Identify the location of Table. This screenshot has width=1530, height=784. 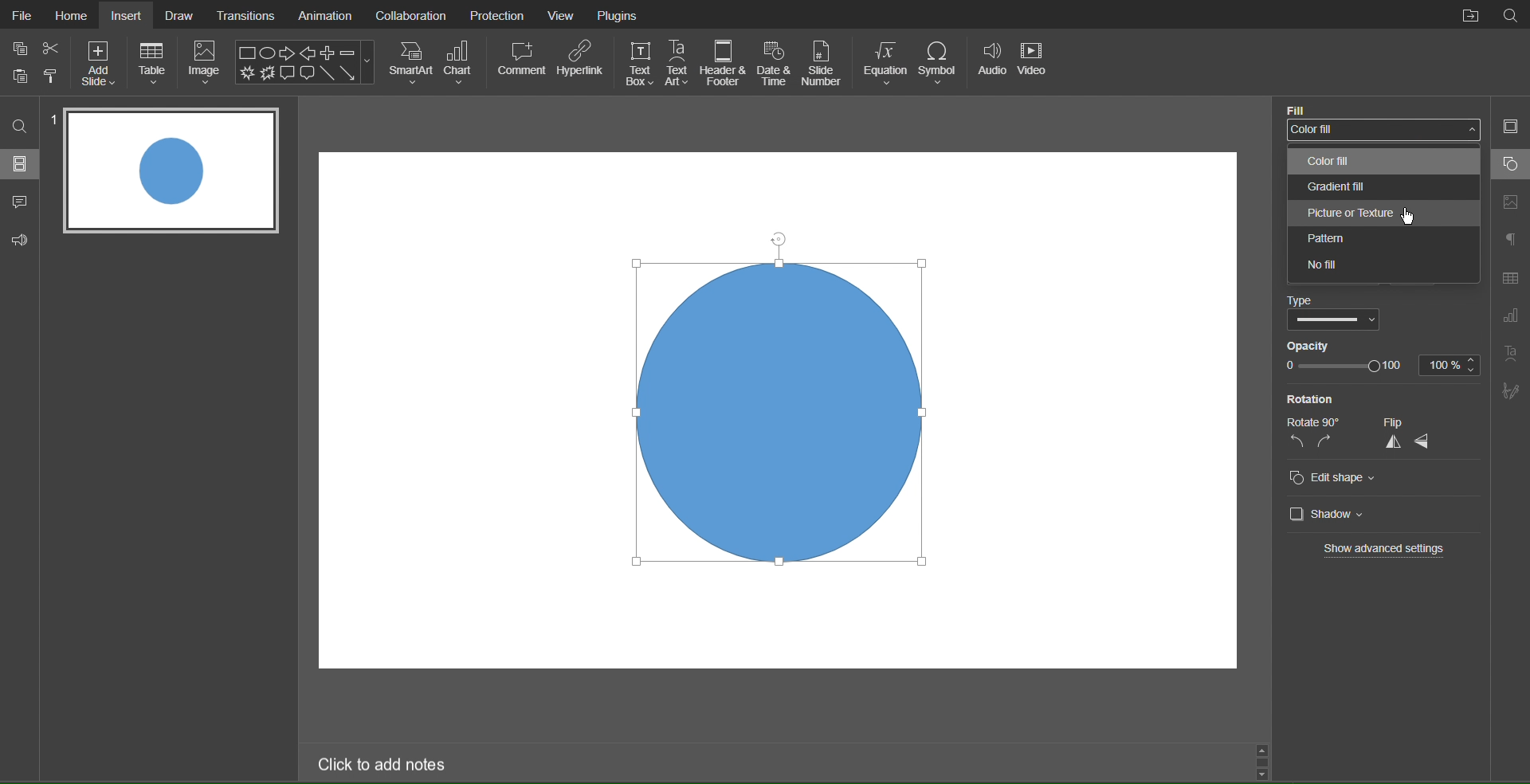
(154, 64).